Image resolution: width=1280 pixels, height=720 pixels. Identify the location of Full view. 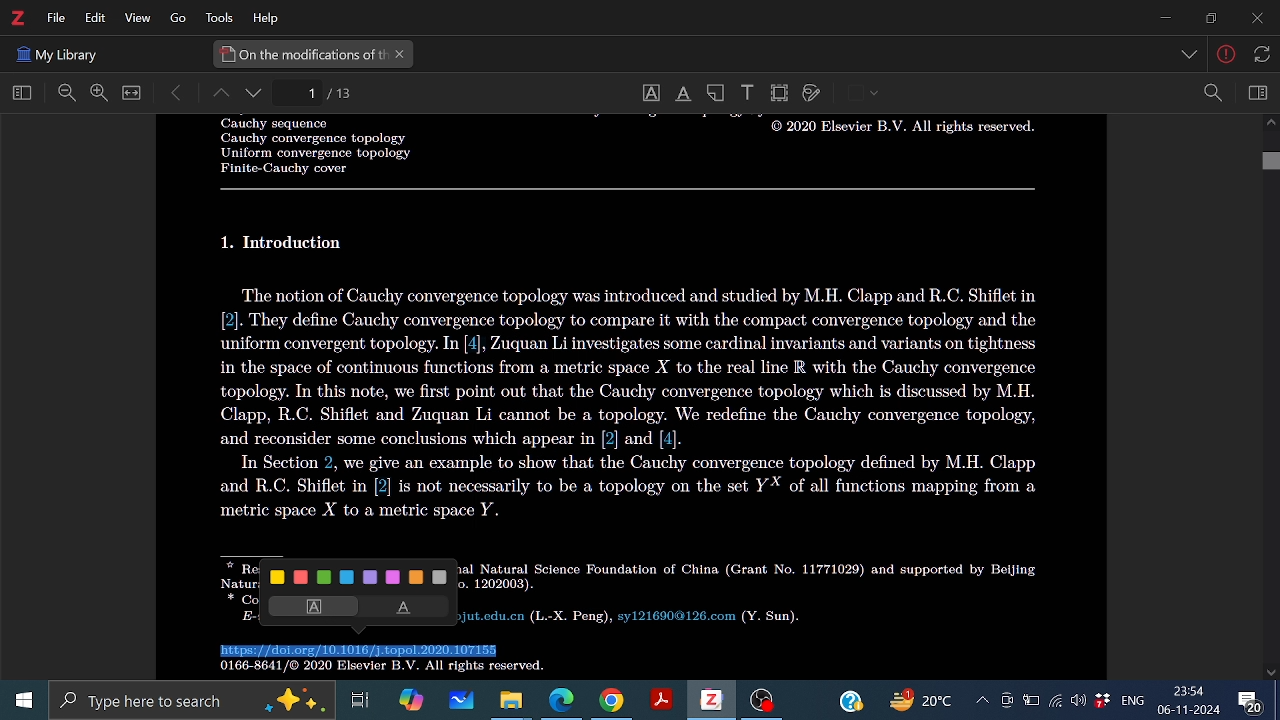
(132, 93).